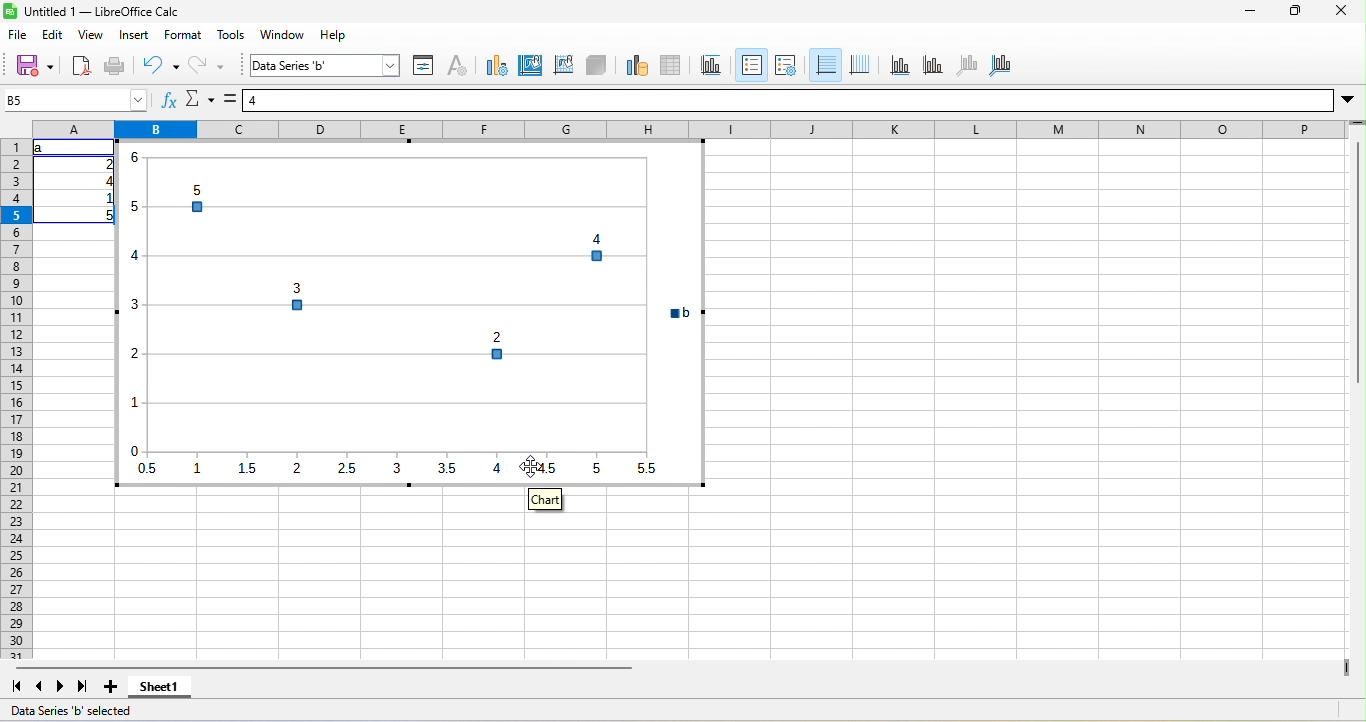 The image size is (1366, 722). I want to click on Software logo, so click(10, 11).